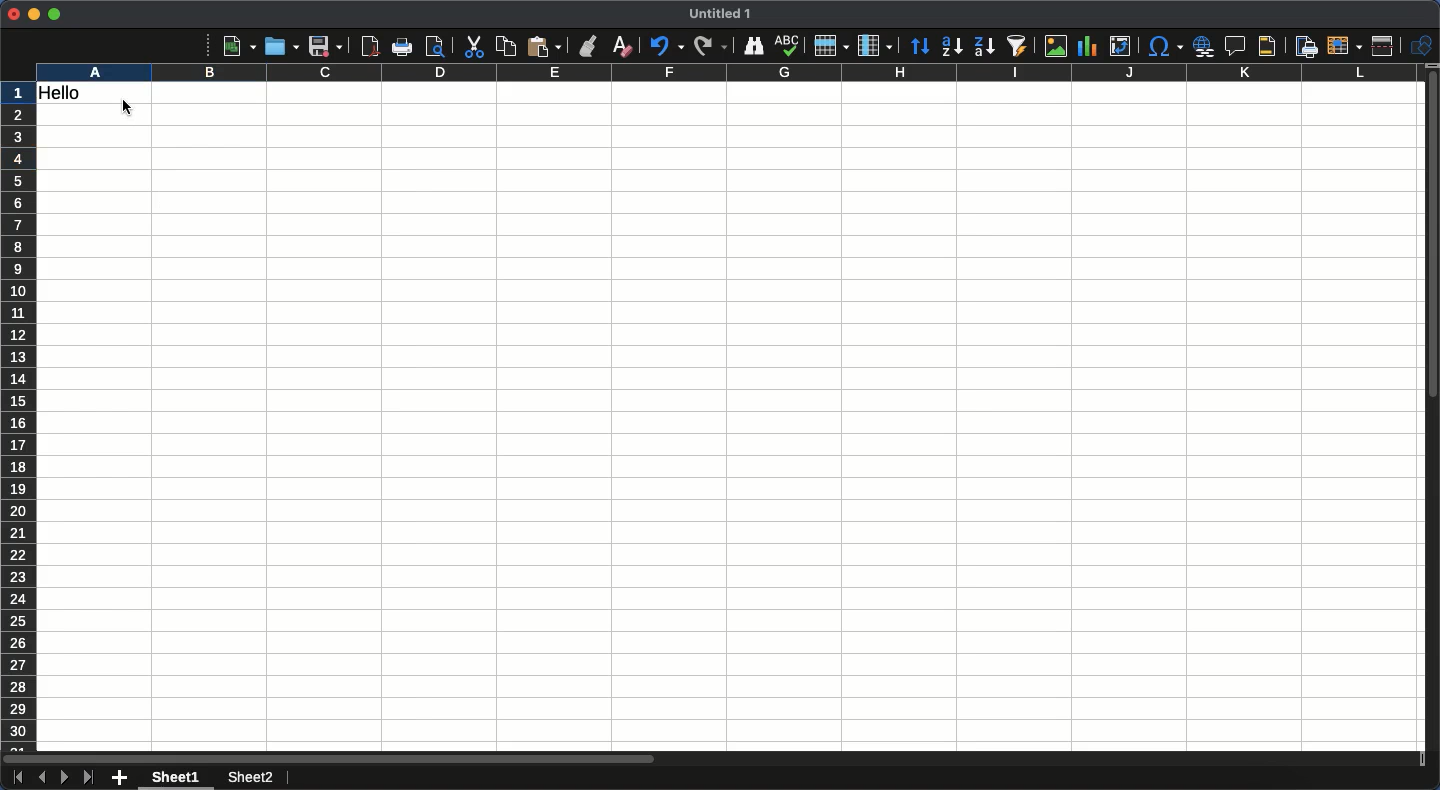 The width and height of the screenshot is (1440, 790). I want to click on Selecting A1 data, so click(96, 95).